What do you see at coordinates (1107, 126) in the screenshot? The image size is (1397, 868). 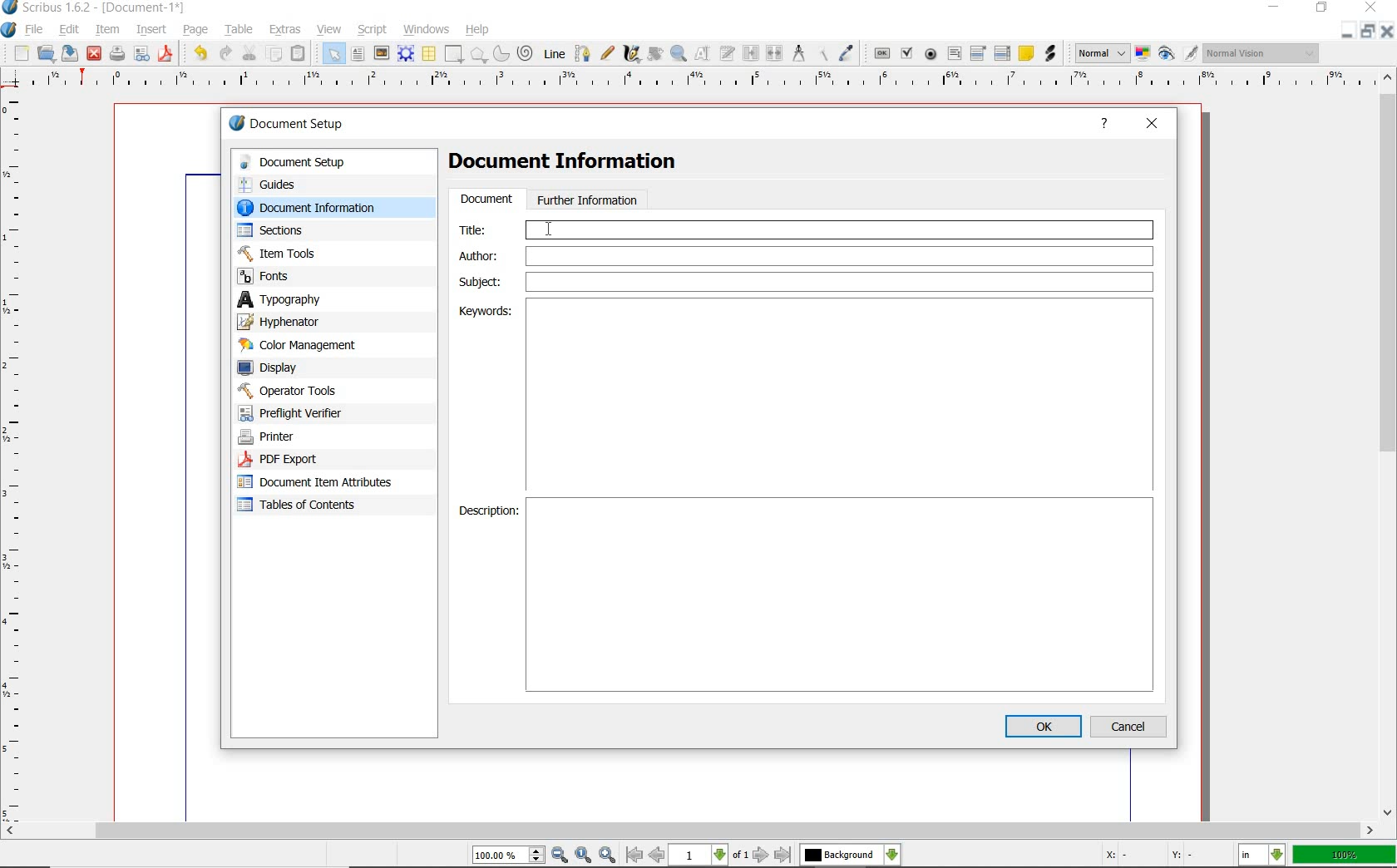 I see `help` at bounding box center [1107, 126].